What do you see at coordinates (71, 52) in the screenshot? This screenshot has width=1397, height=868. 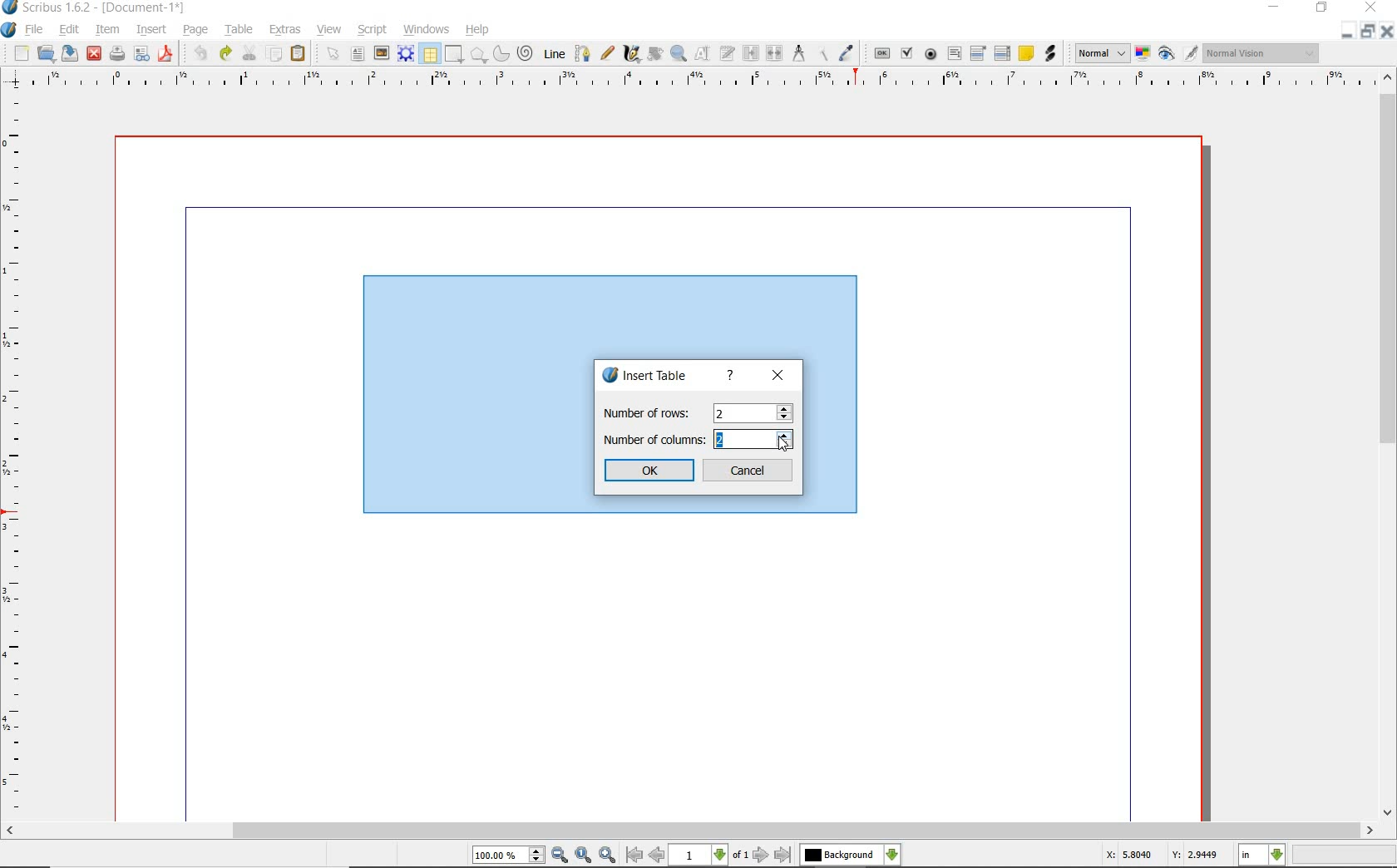 I see `save` at bounding box center [71, 52].